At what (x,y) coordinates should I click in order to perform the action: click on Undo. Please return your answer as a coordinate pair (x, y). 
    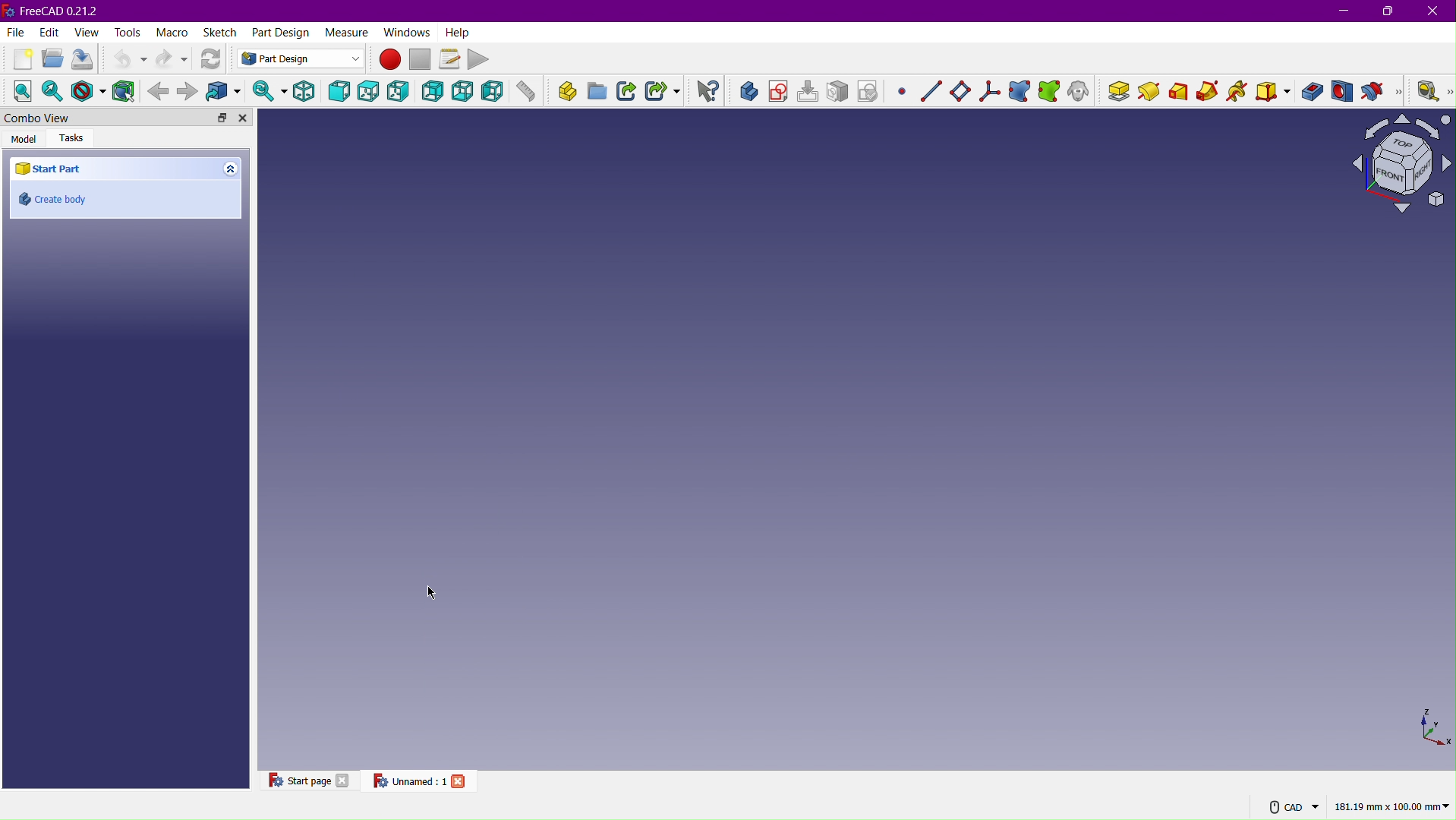
    Looking at the image, I should click on (127, 58).